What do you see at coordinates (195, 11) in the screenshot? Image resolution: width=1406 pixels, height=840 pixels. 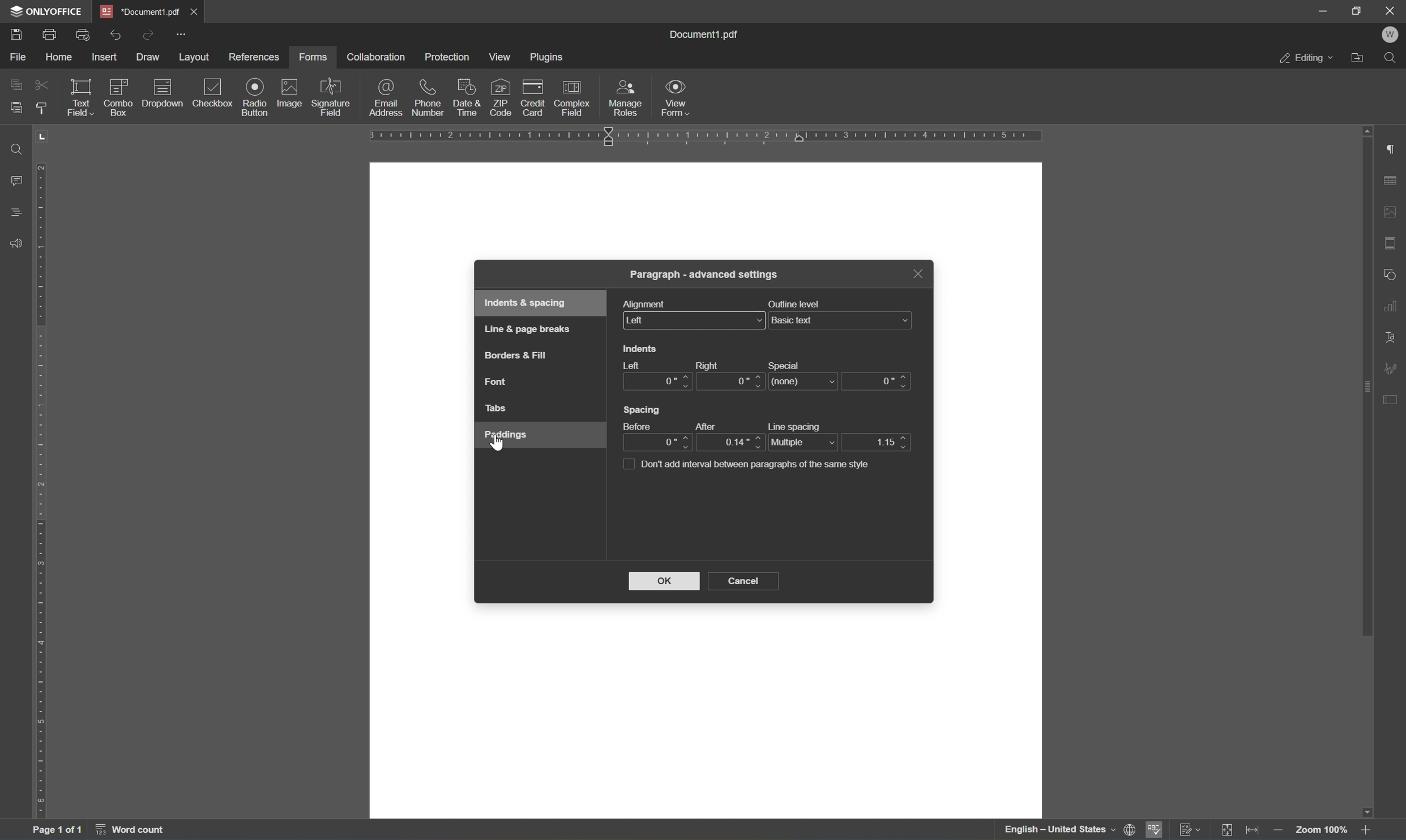 I see `close` at bounding box center [195, 11].